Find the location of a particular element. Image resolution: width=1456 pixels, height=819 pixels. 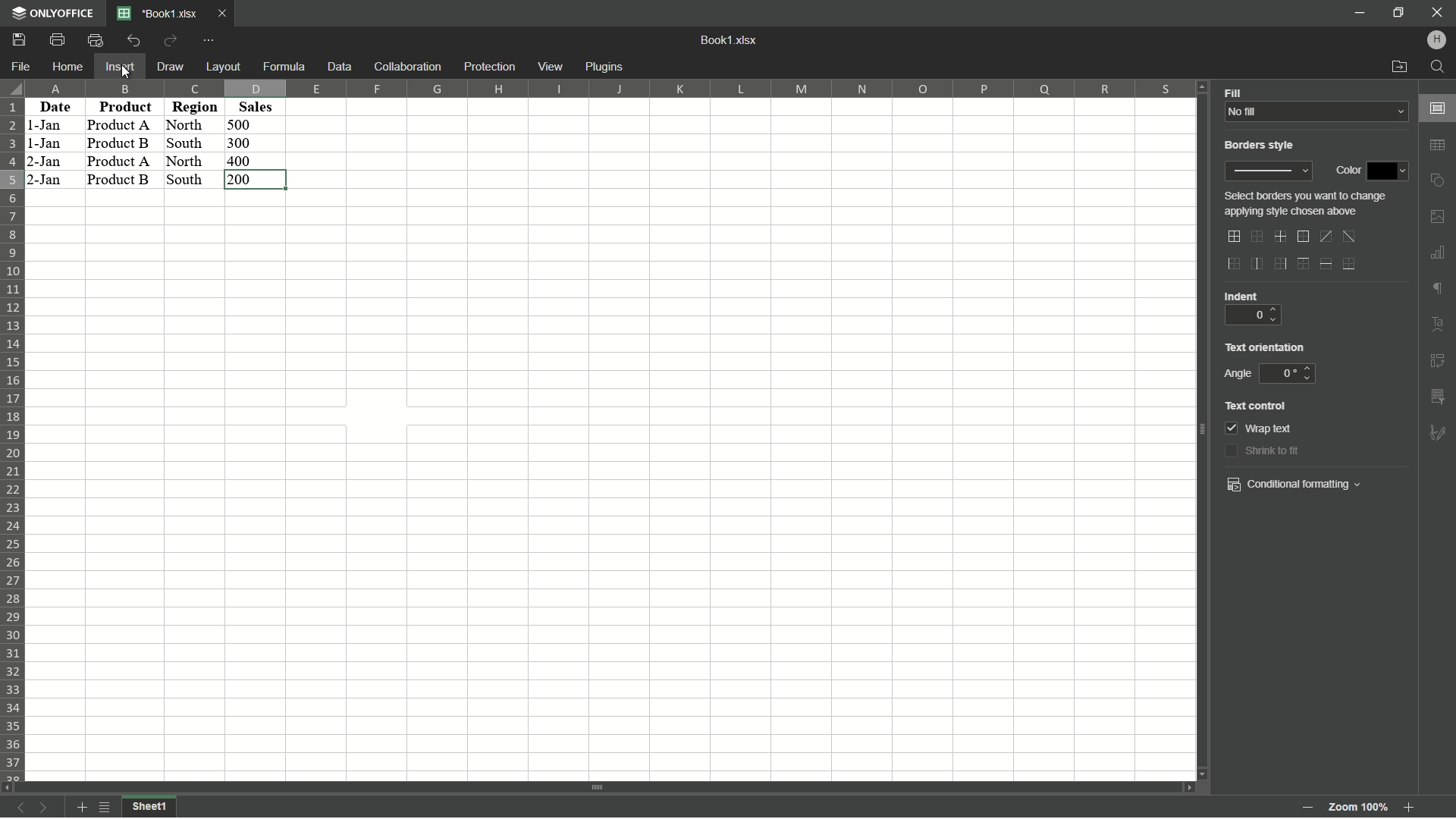

color dropdown is located at coordinates (1387, 171).